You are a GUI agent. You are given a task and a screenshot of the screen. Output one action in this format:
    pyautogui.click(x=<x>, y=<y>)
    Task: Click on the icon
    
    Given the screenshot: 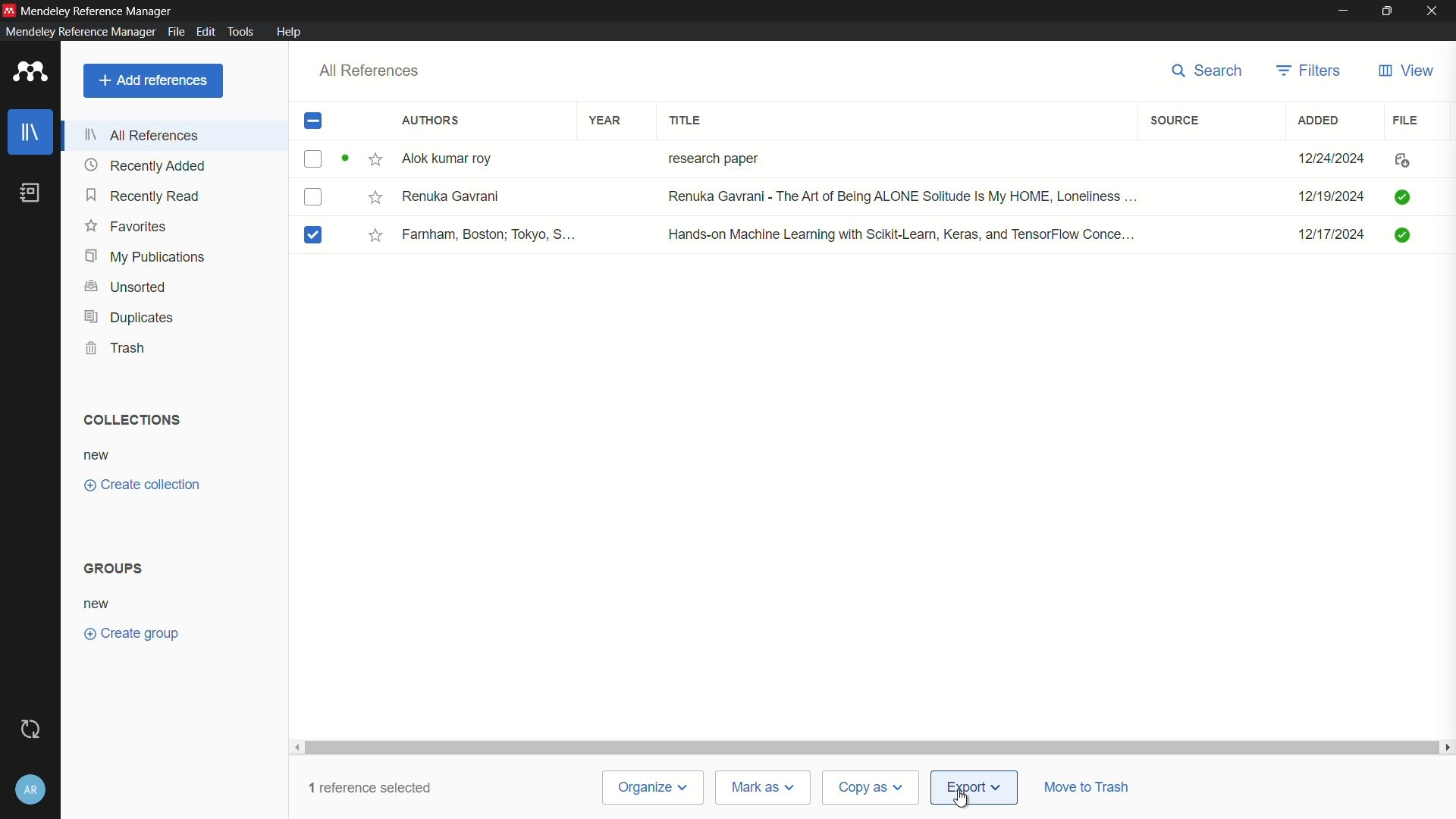 What is the action you would take?
    pyautogui.click(x=1399, y=237)
    